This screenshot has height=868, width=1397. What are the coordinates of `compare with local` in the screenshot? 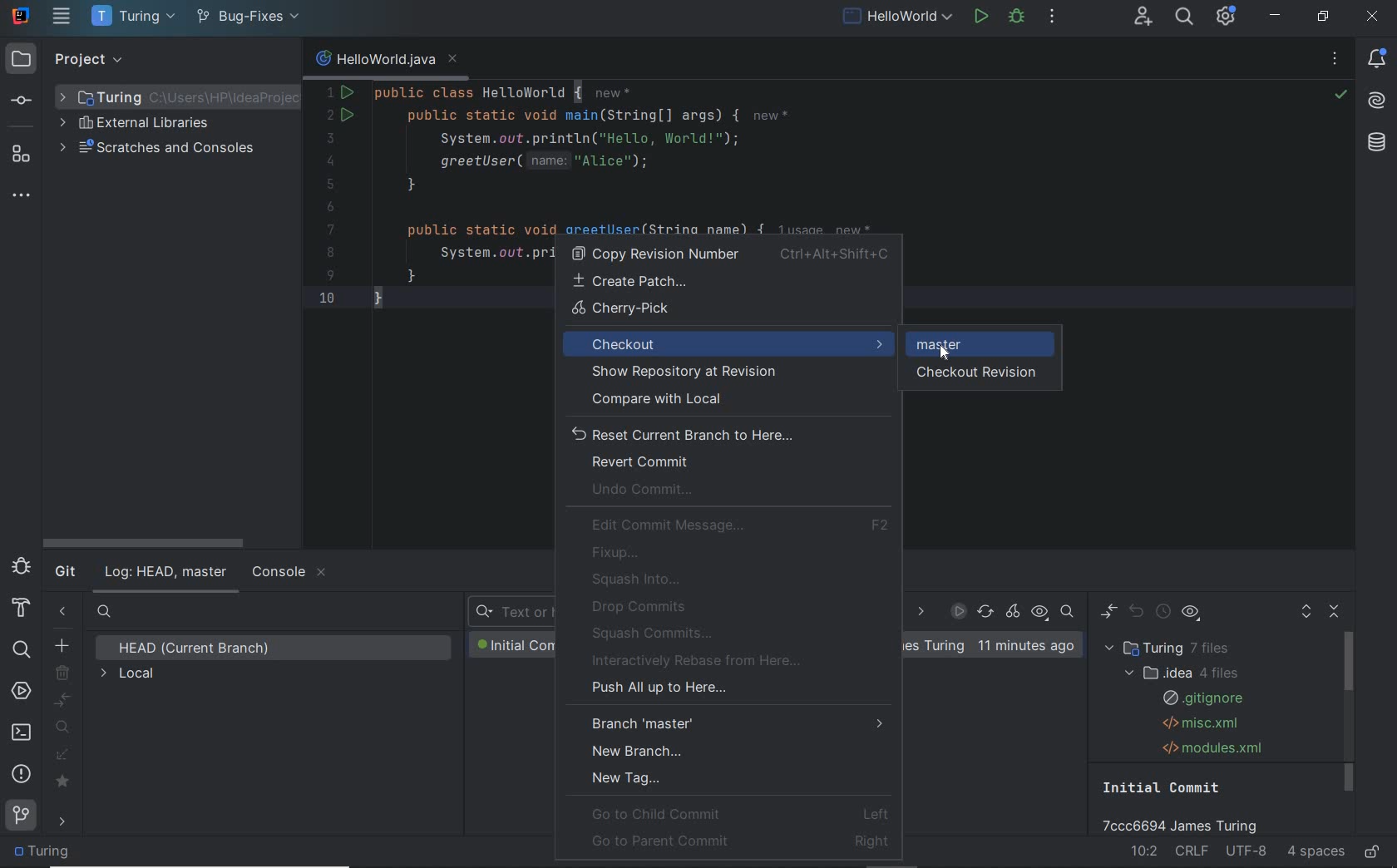 It's located at (727, 399).